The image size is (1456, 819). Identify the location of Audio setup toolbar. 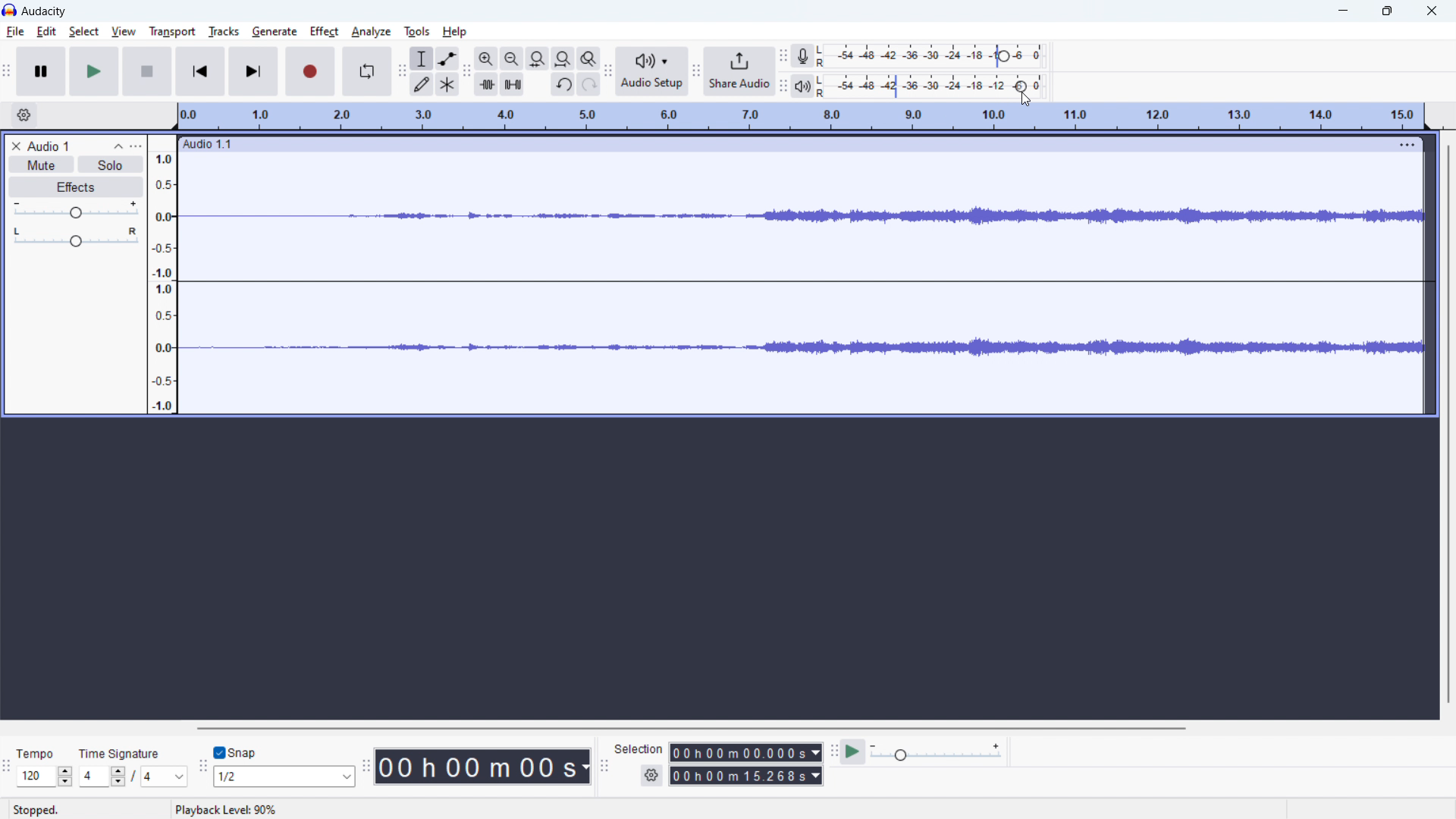
(607, 73).